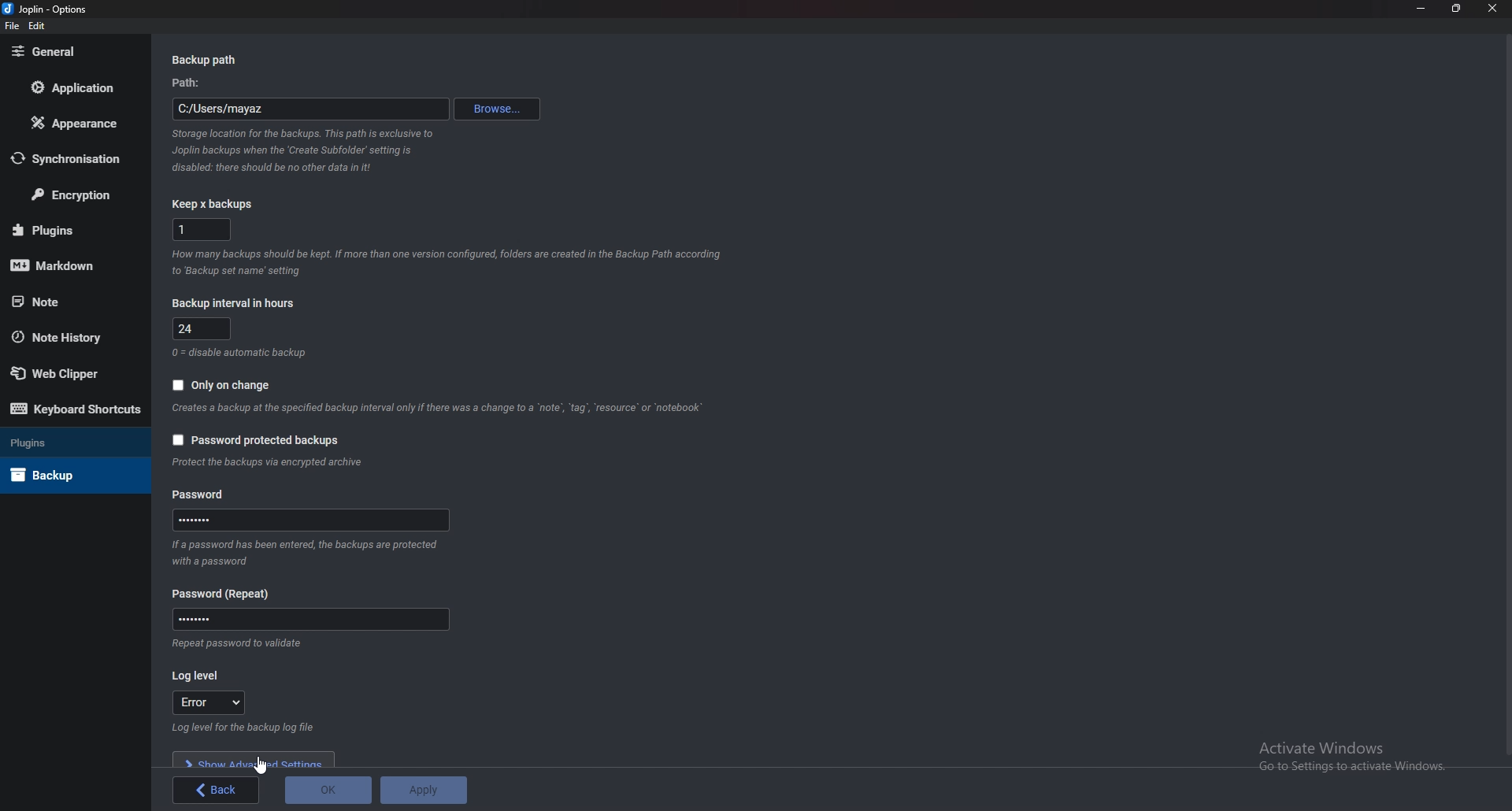  Describe the element at coordinates (238, 643) in the screenshot. I see `Info` at that location.